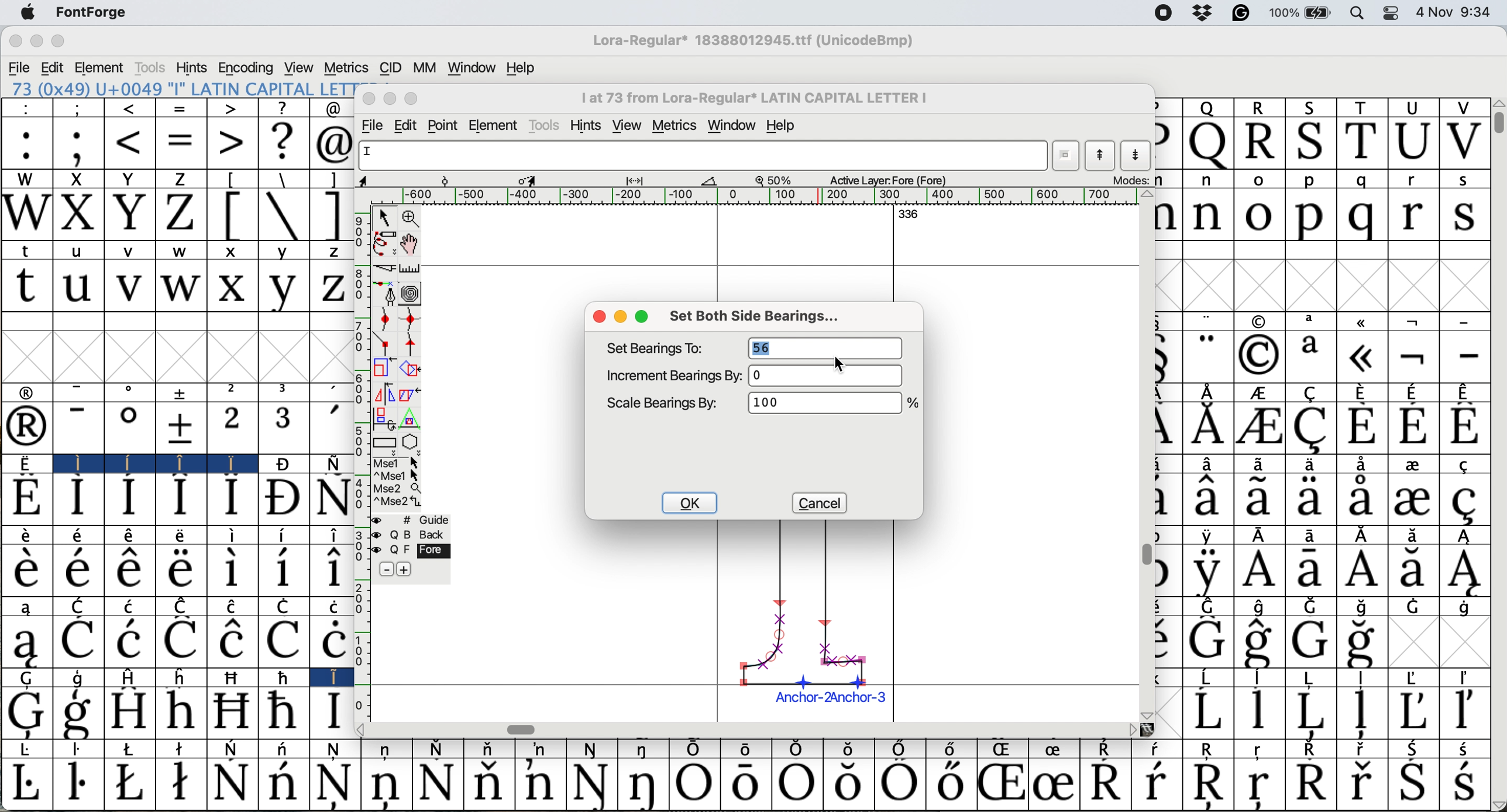 The image size is (1507, 812). I want to click on , so click(1312, 393).